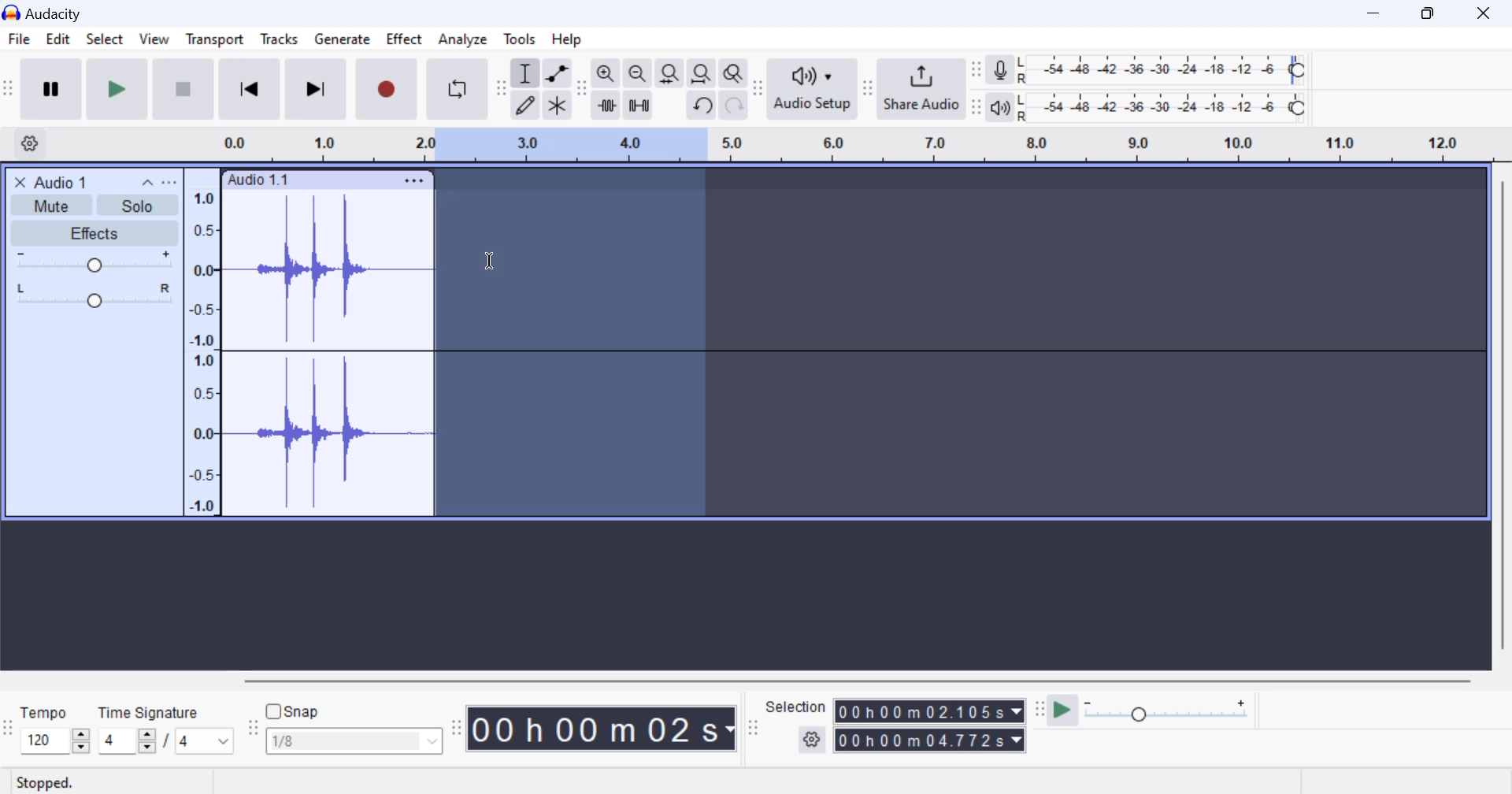 Image resolution: width=1512 pixels, height=794 pixels. I want to click on Max time signature options, so click(205, 742).